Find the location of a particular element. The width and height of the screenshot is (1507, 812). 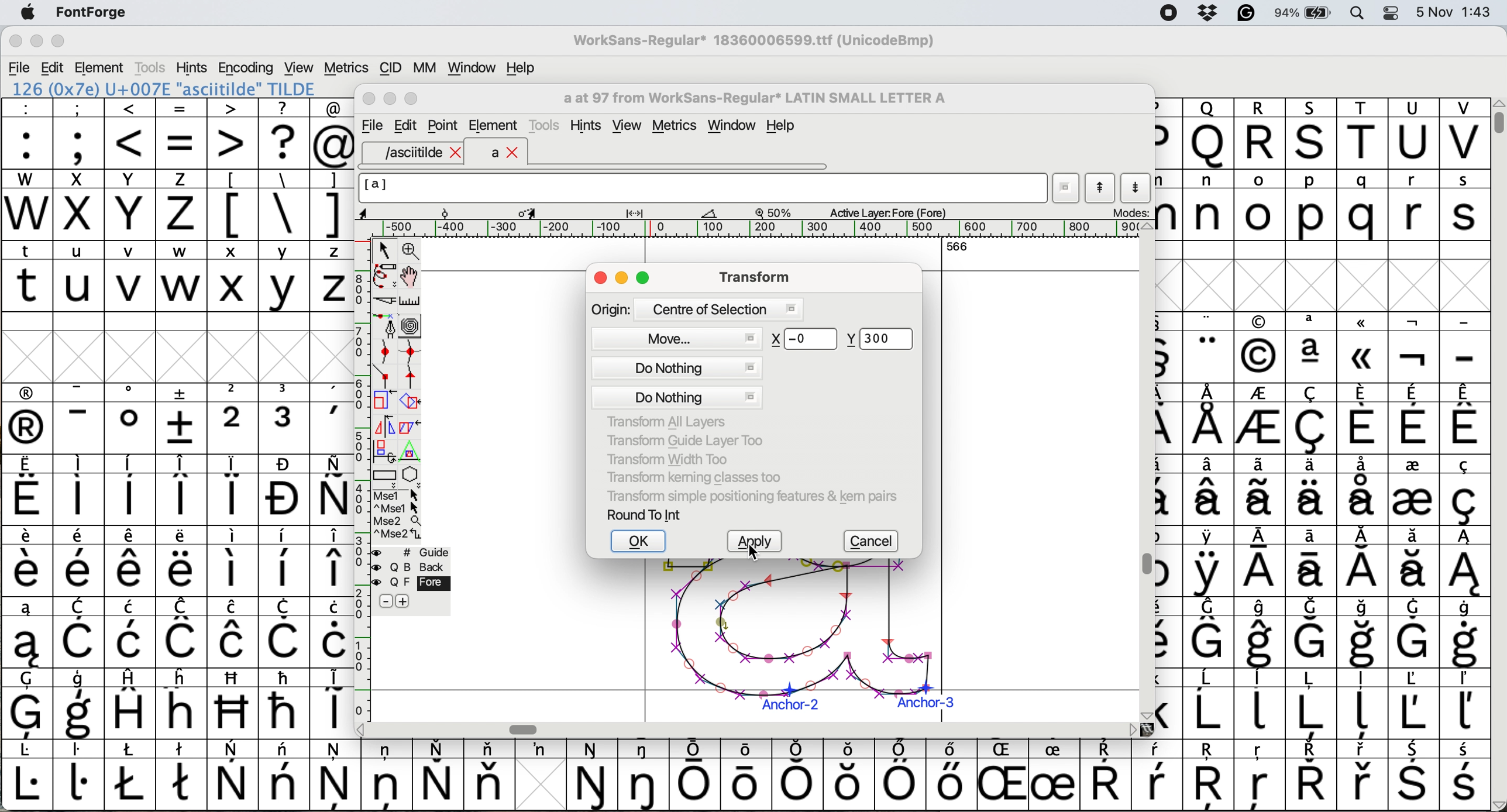

] is located at coordinates (331, 203).